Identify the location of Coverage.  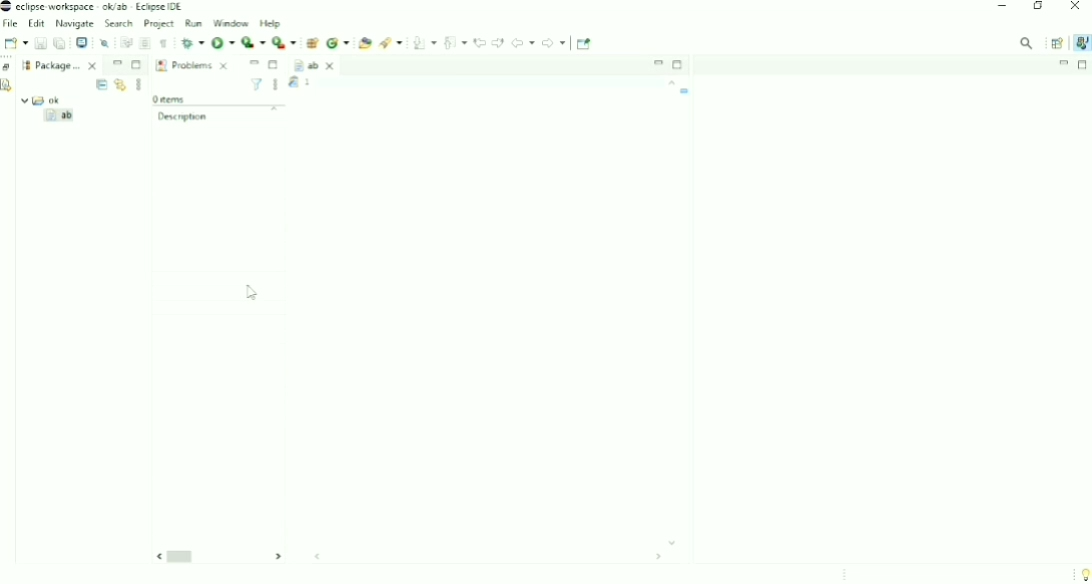
(254, 42).